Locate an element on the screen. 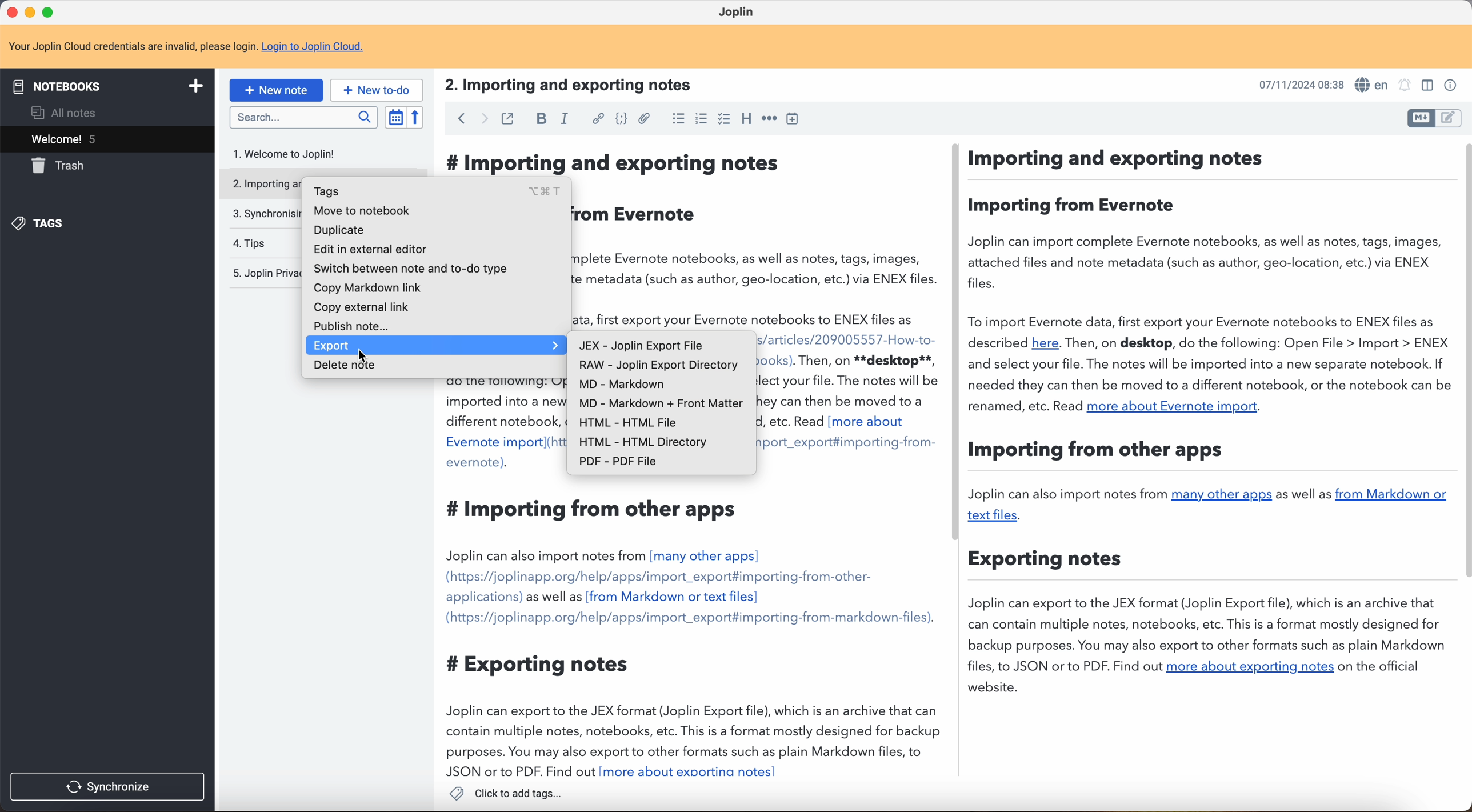  heading is located at coordinates (746, 120).